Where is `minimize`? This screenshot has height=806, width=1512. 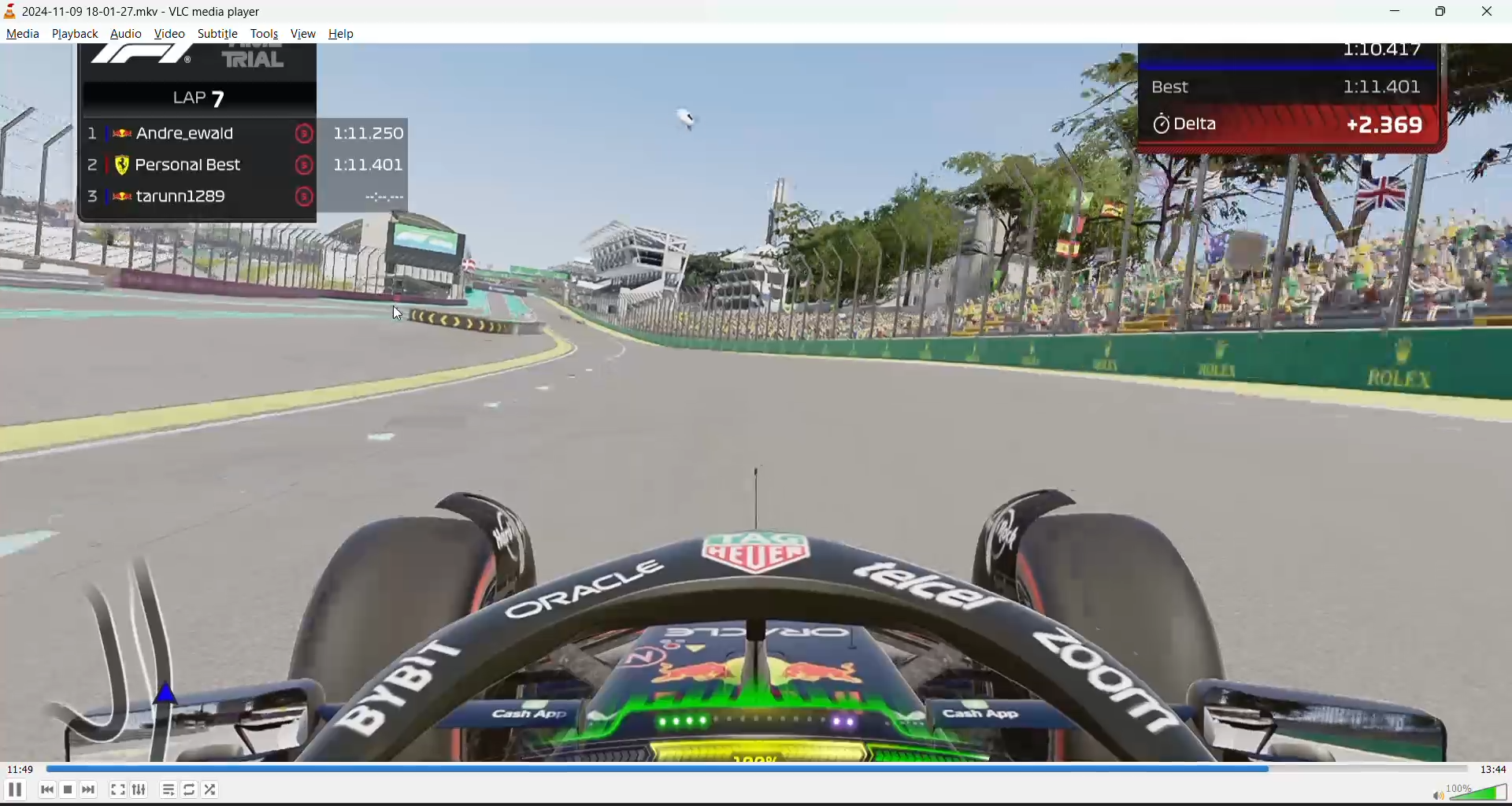
minimize is located at coordinates (1403, 13).